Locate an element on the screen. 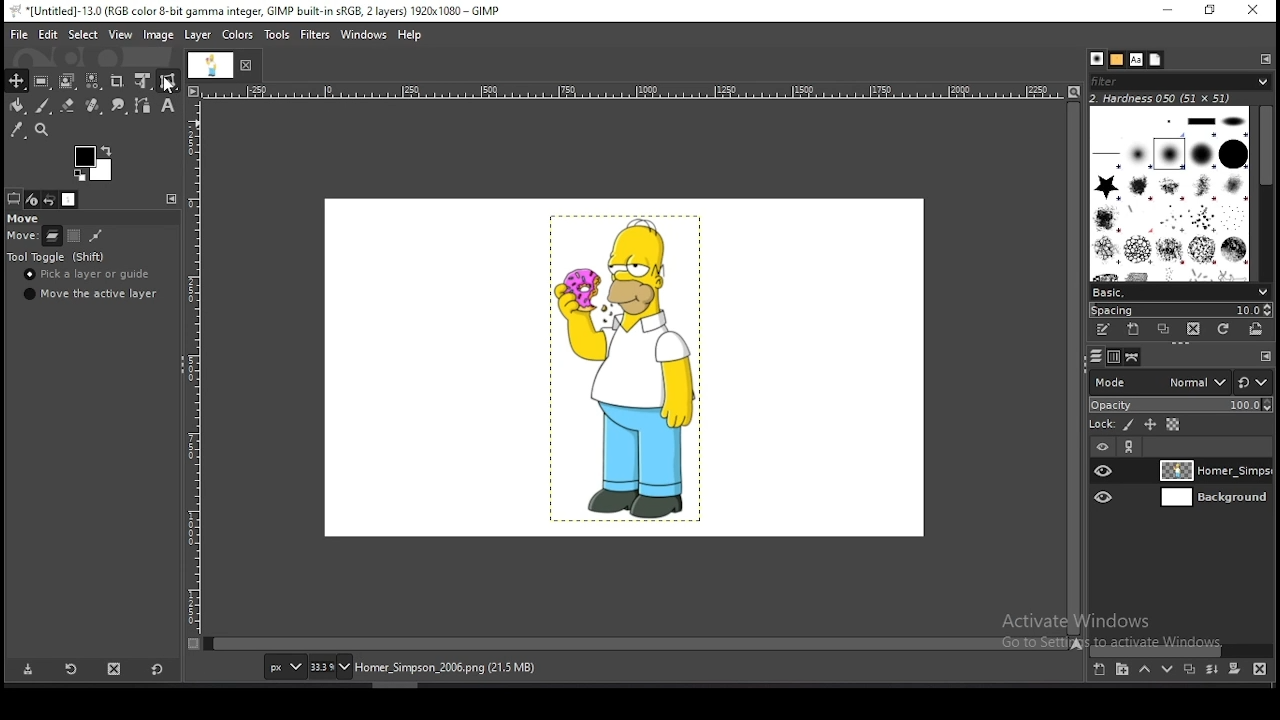 The height and width of the screenshot is (720, 1280). create a new layer group is located at coordinates (1123, 670).